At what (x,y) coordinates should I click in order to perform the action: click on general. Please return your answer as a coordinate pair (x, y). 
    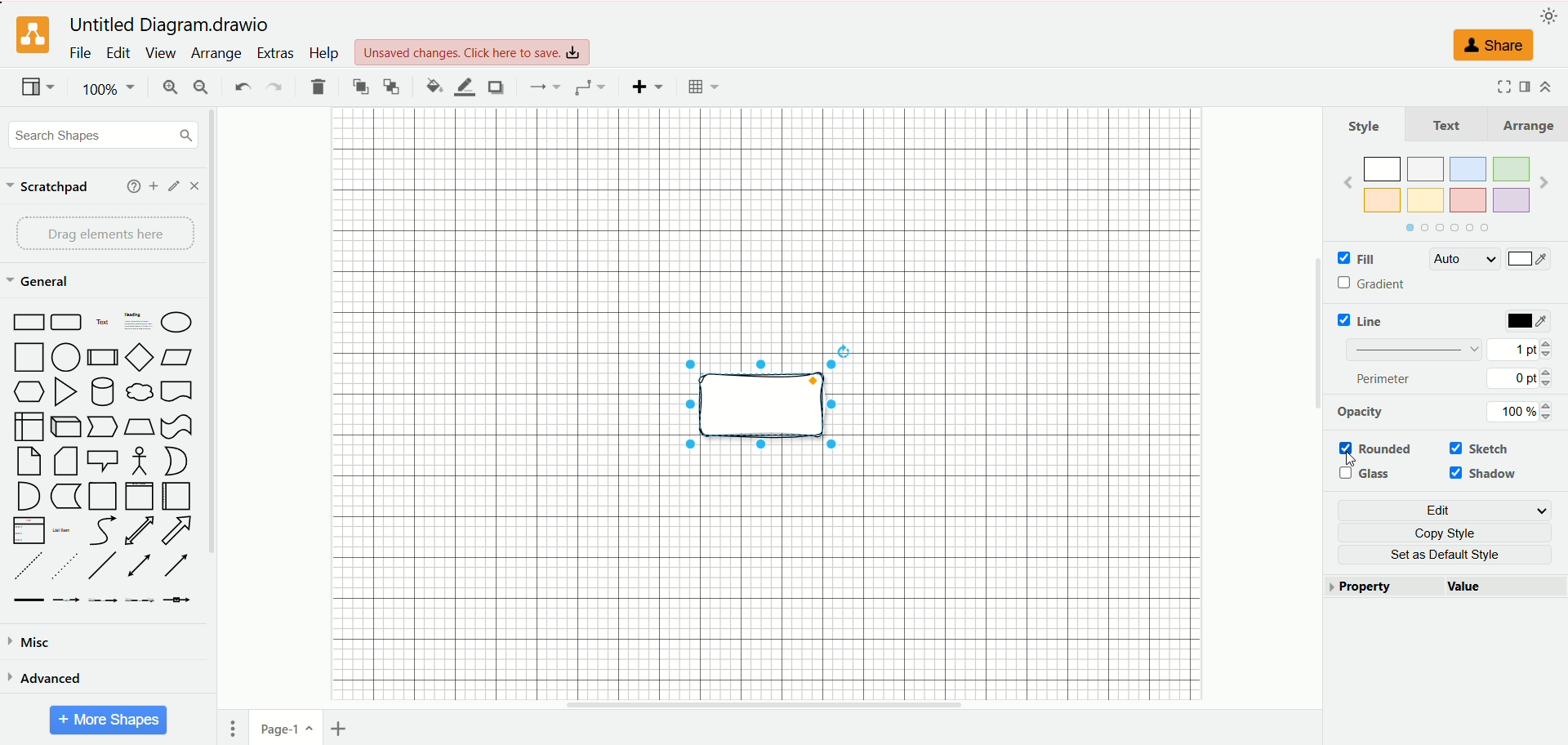
    Looking at the image, I should click on (42, 283).